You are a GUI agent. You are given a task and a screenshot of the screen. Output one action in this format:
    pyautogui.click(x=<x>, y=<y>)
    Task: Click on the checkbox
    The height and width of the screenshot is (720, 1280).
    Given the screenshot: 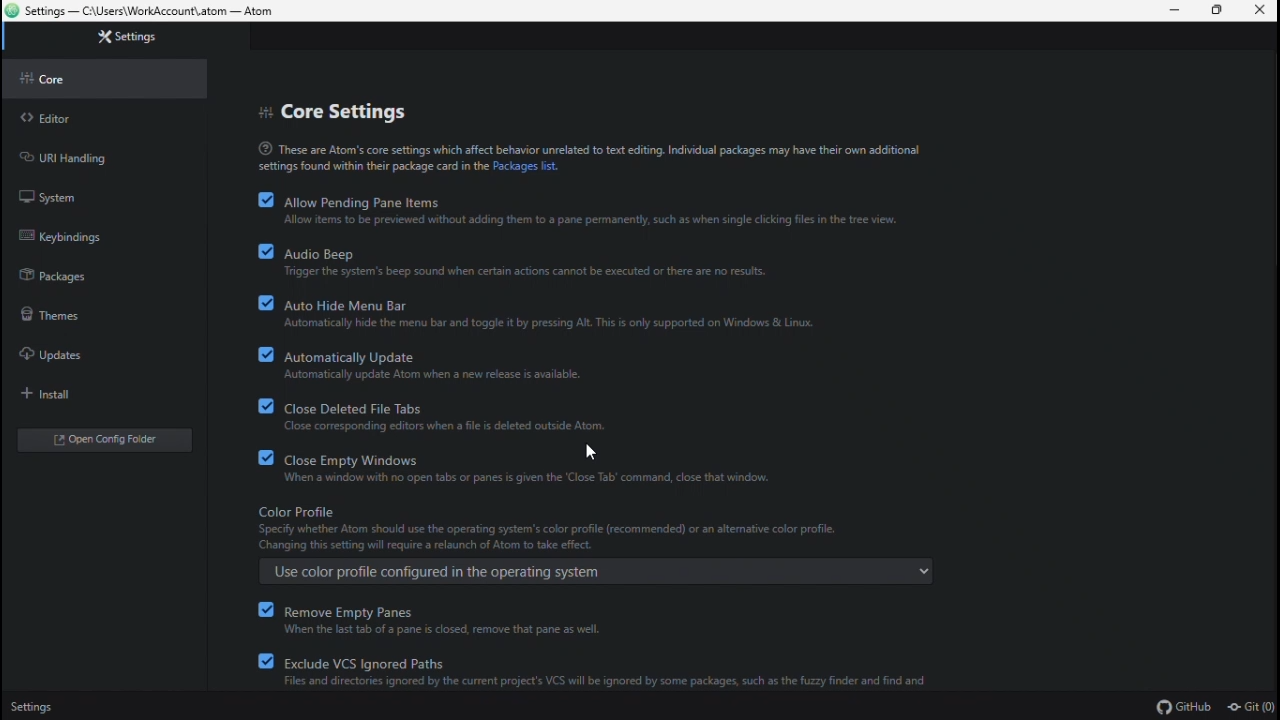 What is the action you would take?
    pyautogui.click(x=265, y=407)
    